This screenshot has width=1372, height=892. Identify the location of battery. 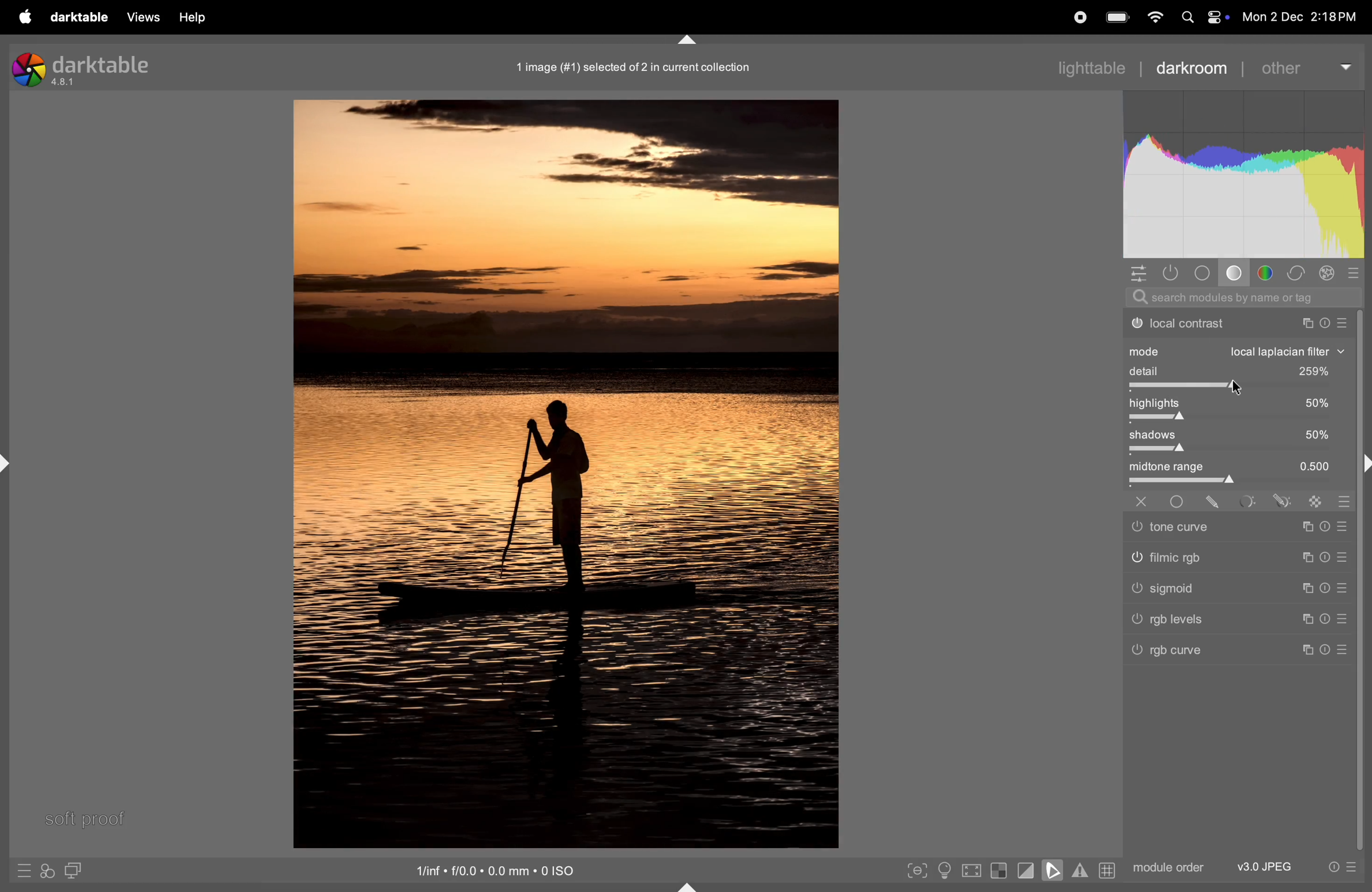
(1118, 16).